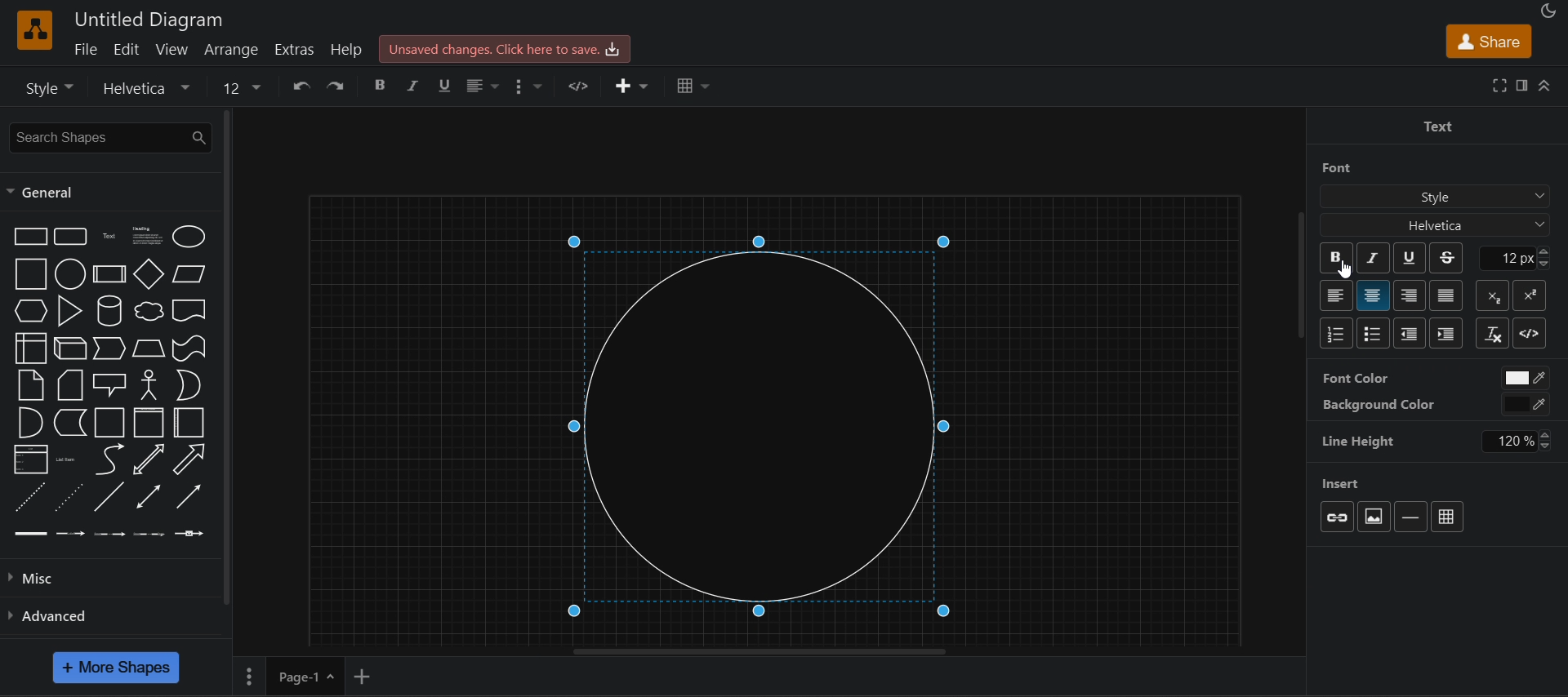 The image size is (1568, 697). What do you see at coordinates (1522, 87) in the screenshot?
I see `format` at bounding box center [1522, 87].